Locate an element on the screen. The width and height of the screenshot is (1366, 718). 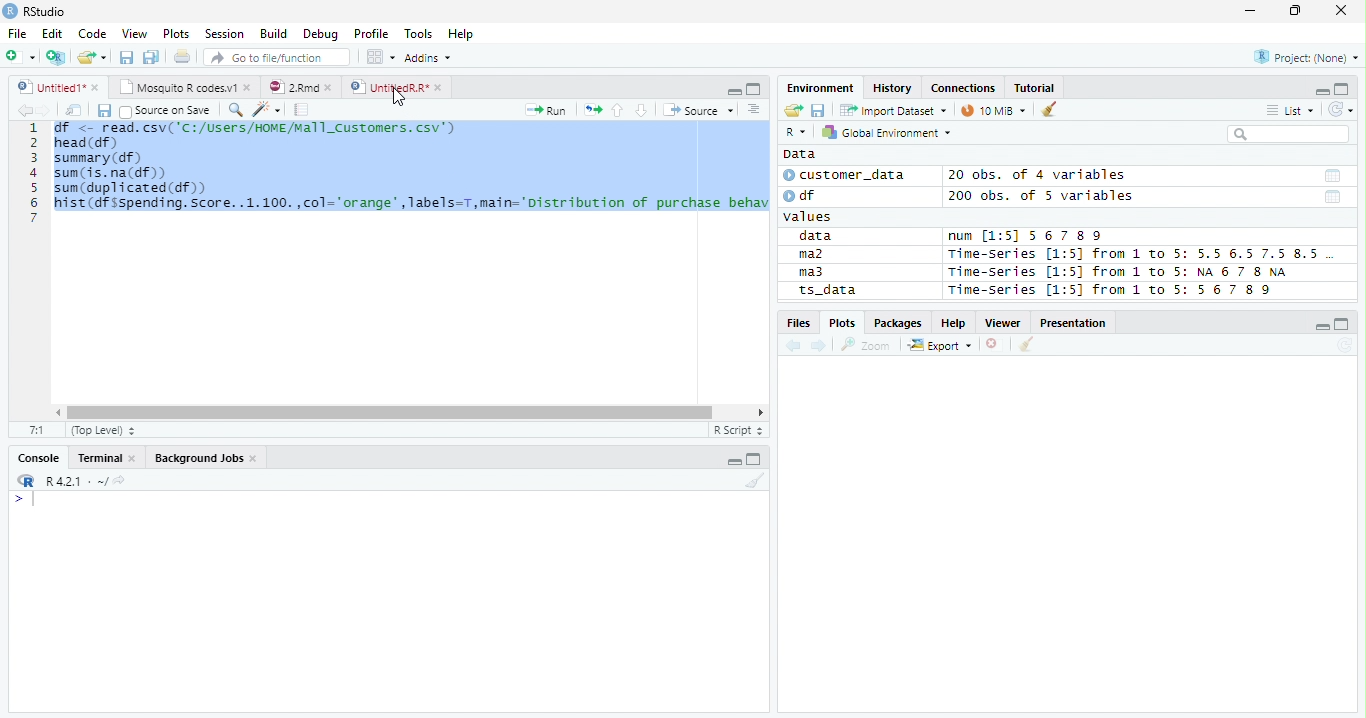
Previous is located at coordinates (22, 110).